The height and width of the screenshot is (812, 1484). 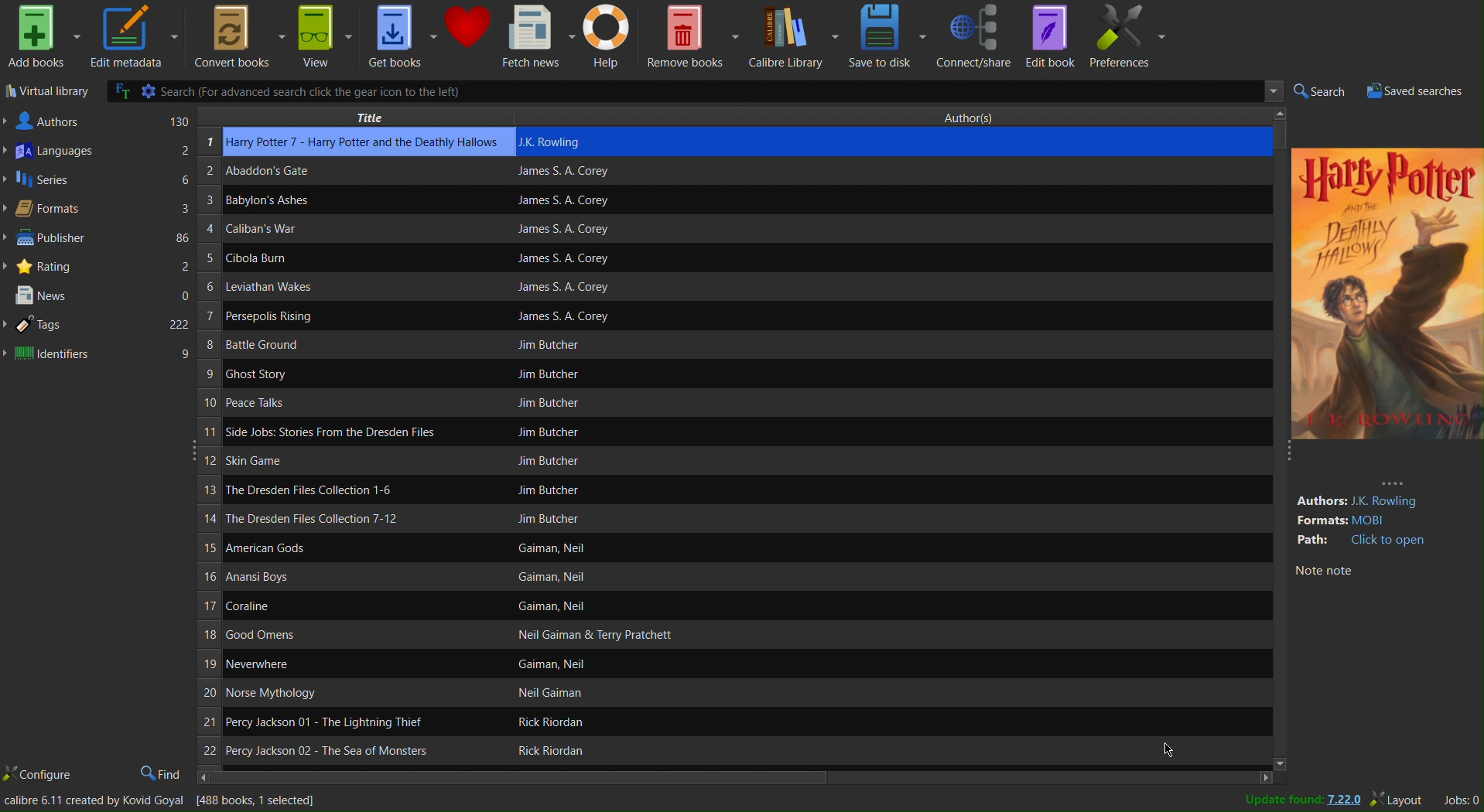 I want to click on Edit book, so click(x=1052, y=36).